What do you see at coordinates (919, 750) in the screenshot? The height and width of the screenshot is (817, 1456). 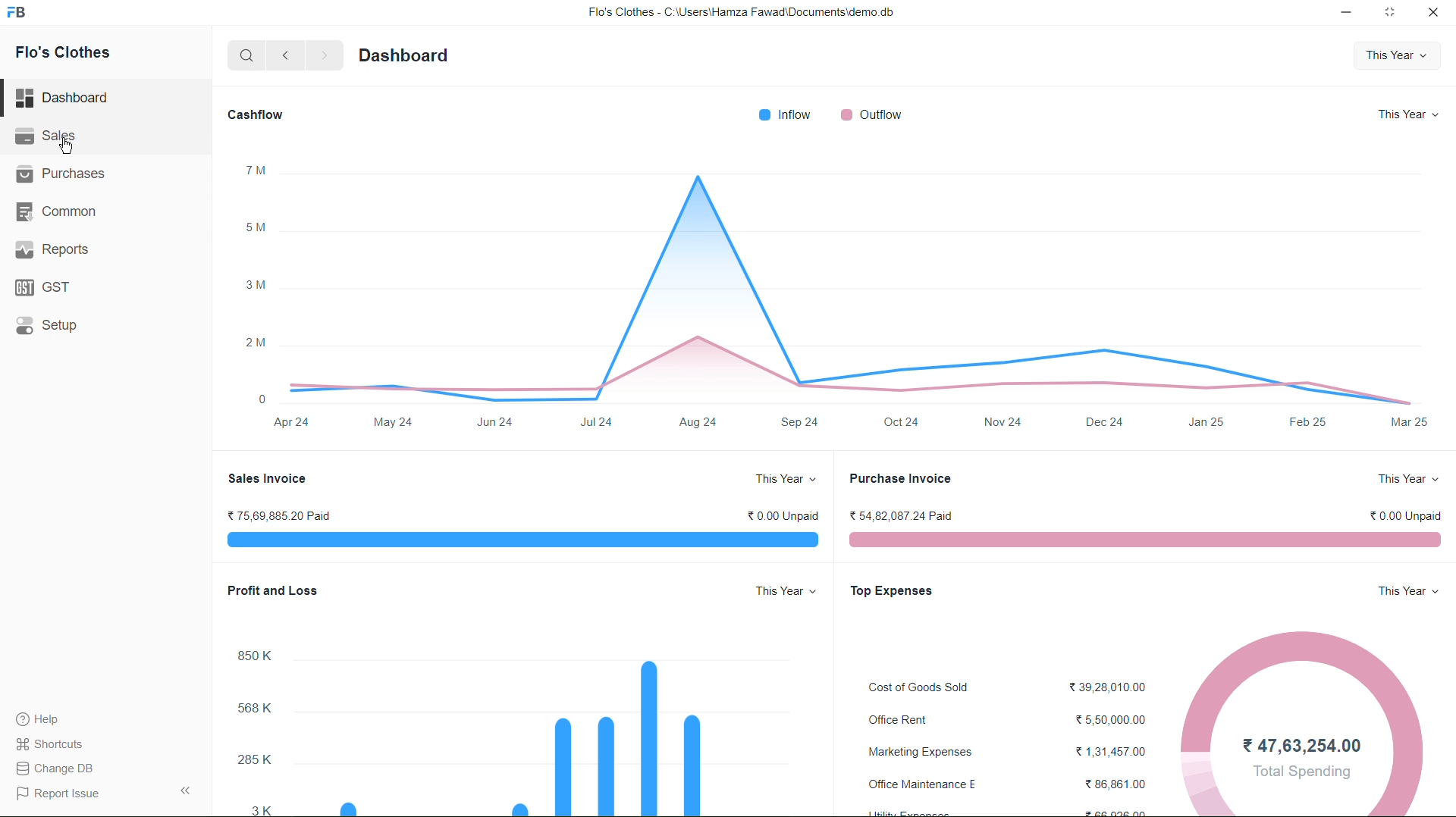 I see `Marketing Expenses` at bounding box center [919, 750].